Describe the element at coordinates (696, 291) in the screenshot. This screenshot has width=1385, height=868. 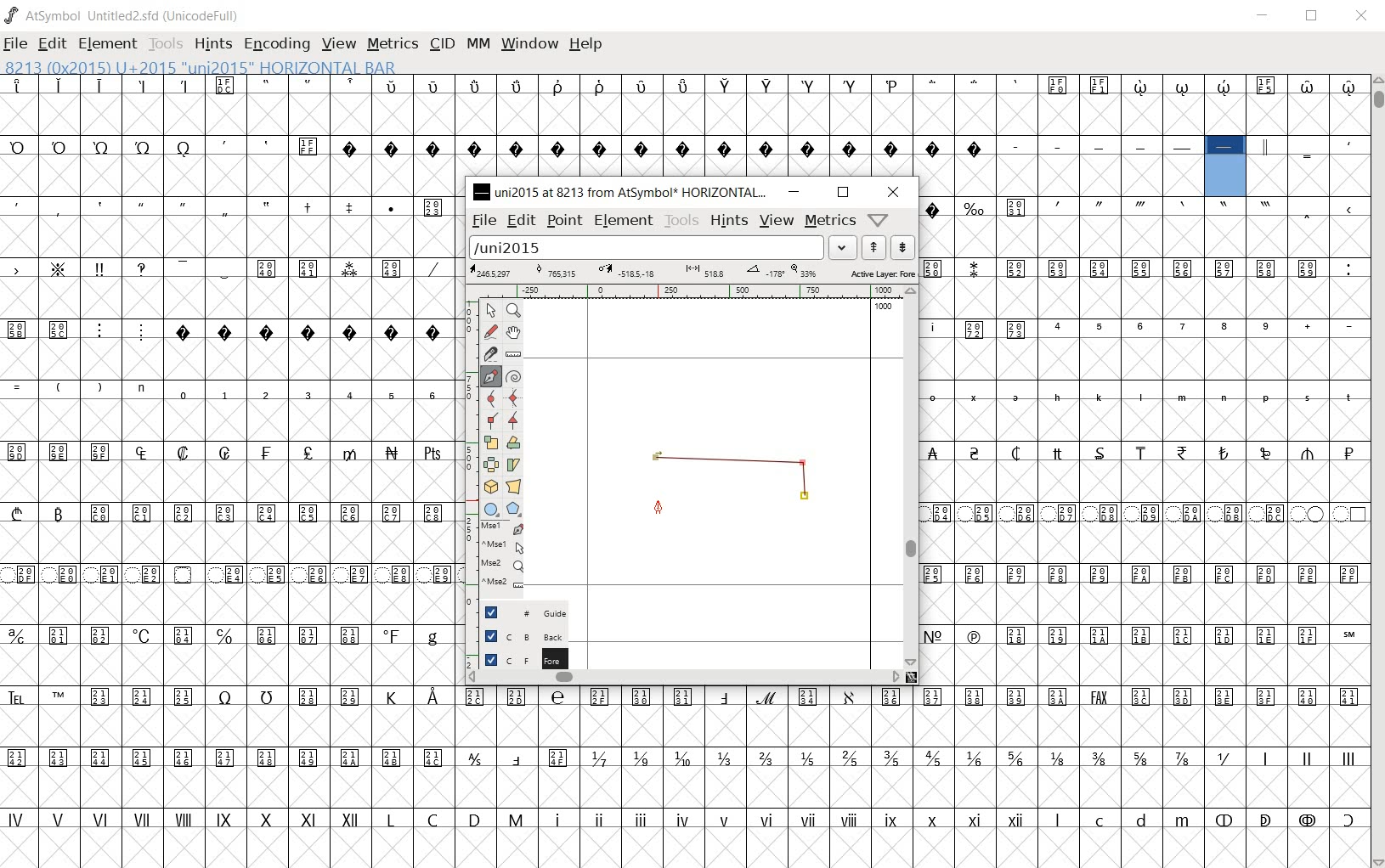
I see `ruler` at that location.